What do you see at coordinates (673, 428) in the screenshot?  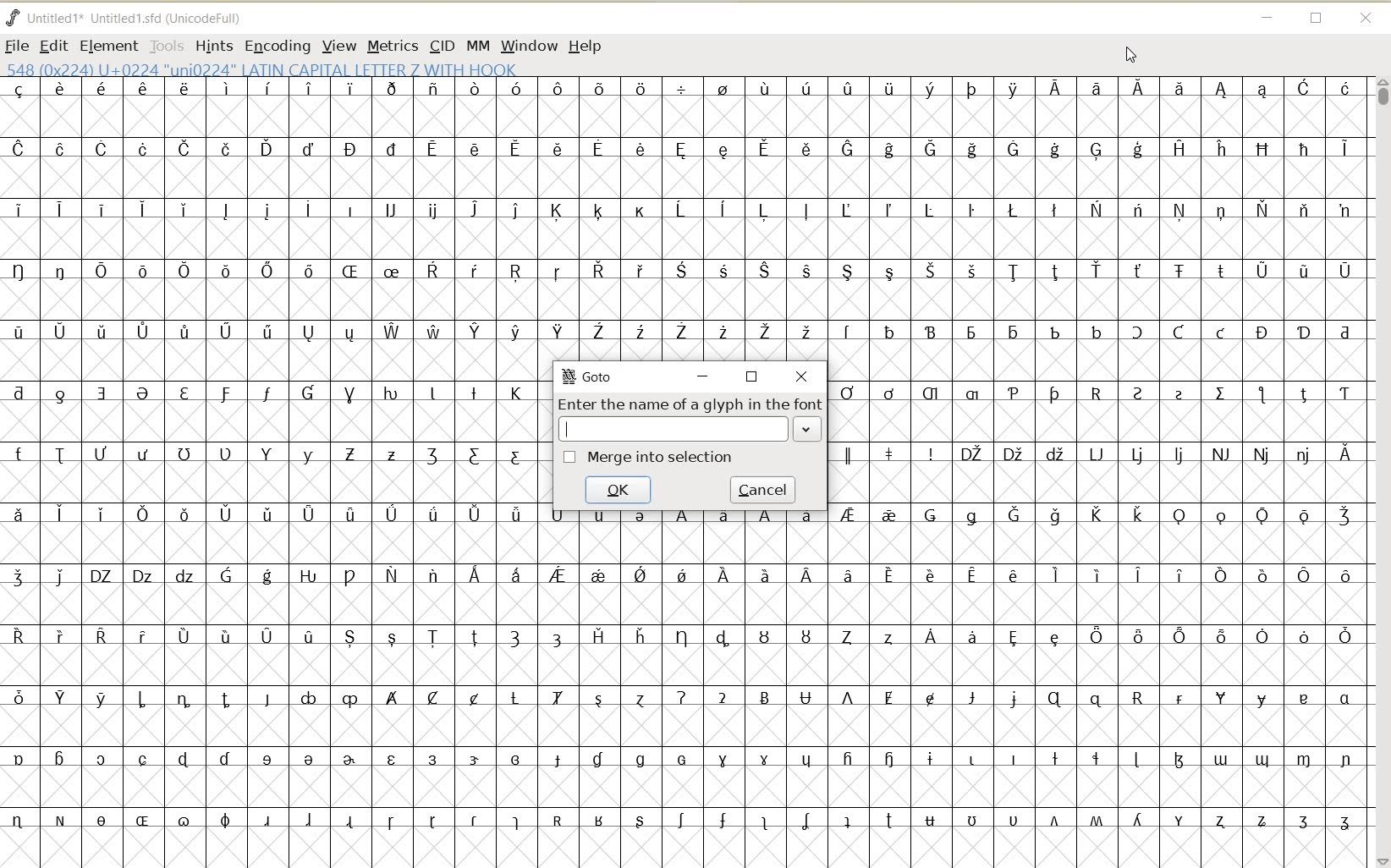 I see `INPUT FIELD` at bounding box center [673, 428].